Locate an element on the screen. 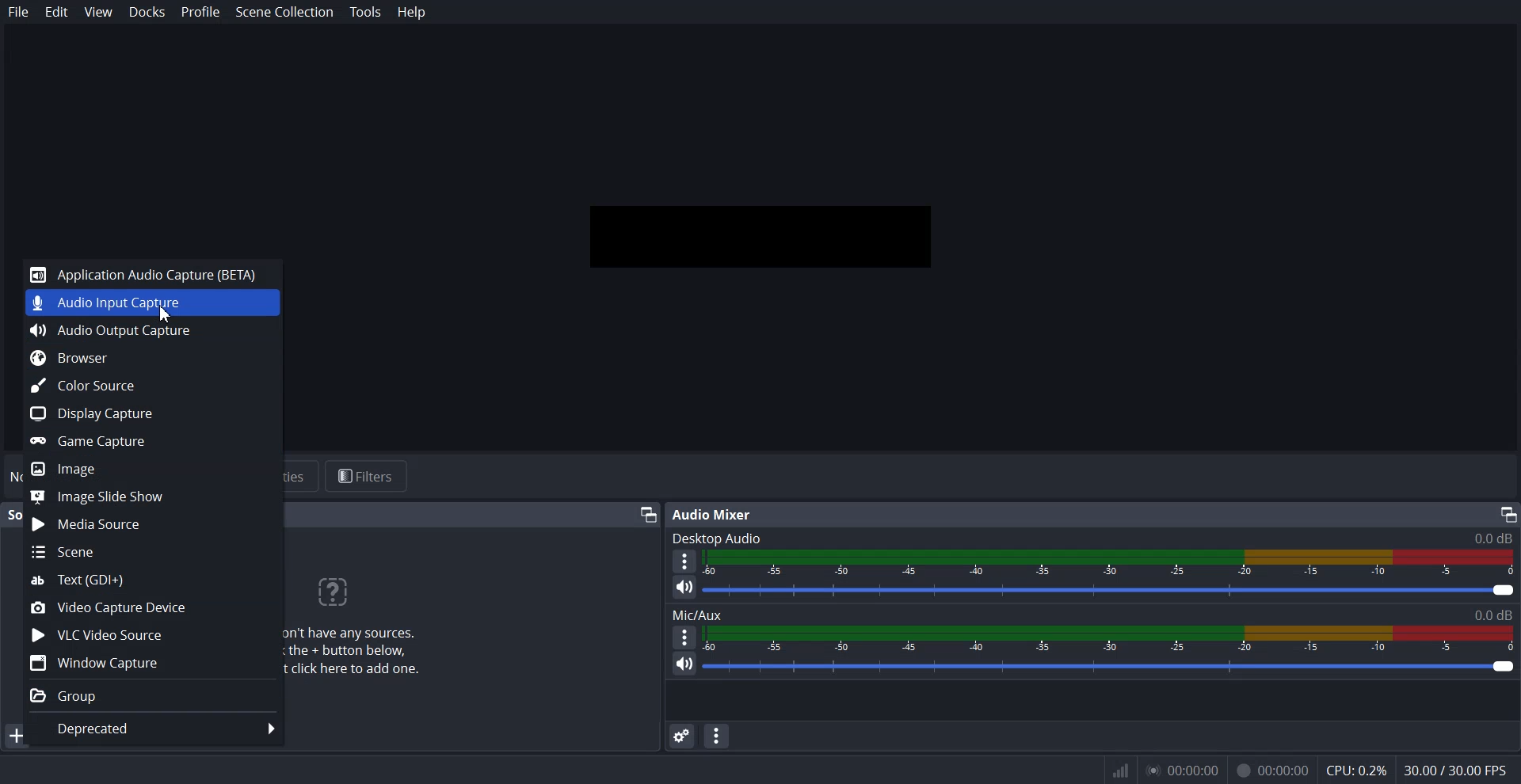 The height and width of the screenshot is (784, 1521). Color Source is located at coordinates (153, 387).